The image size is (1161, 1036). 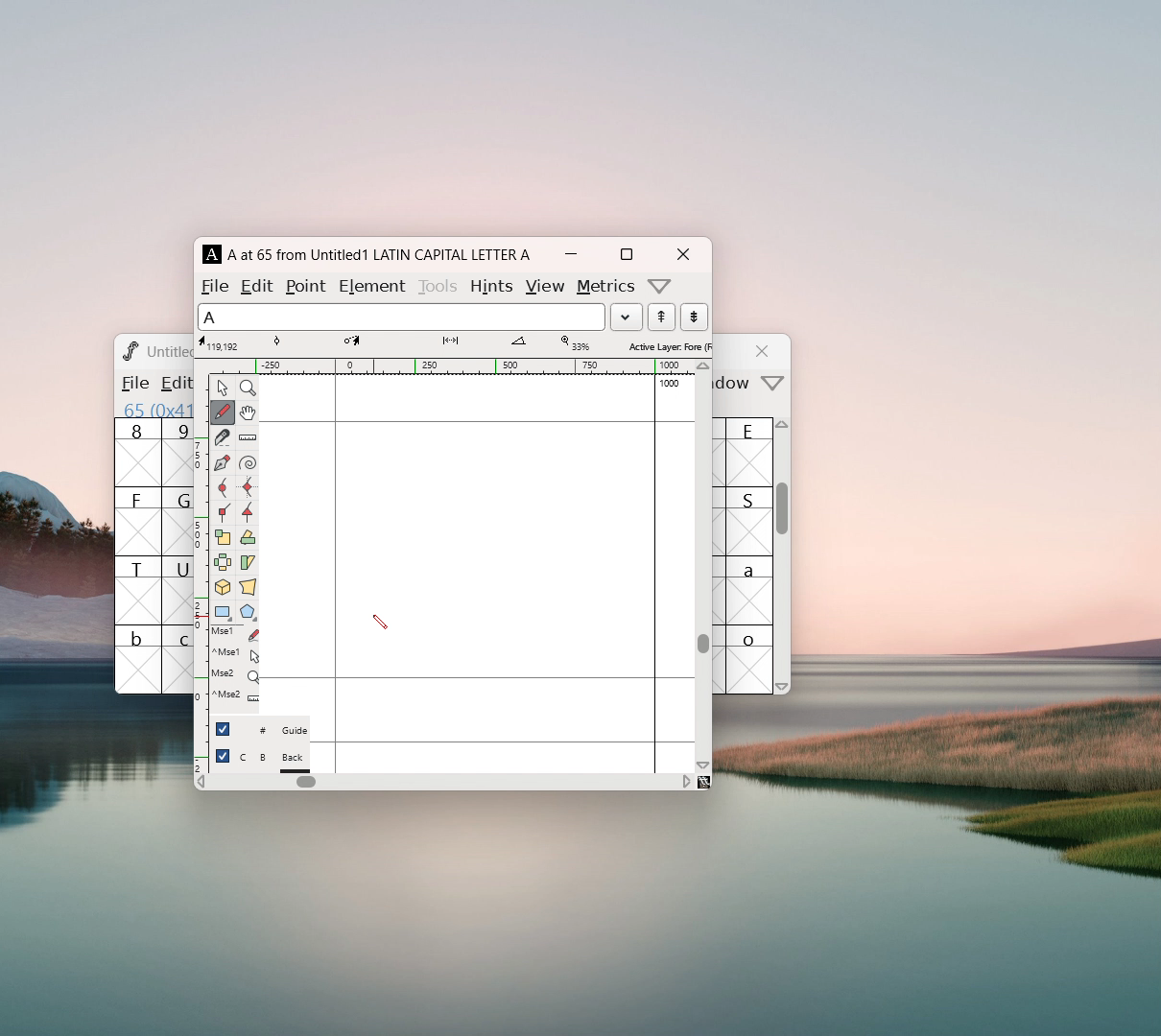 I want to click on draw a freehand curve, so click(x=223, y=412).